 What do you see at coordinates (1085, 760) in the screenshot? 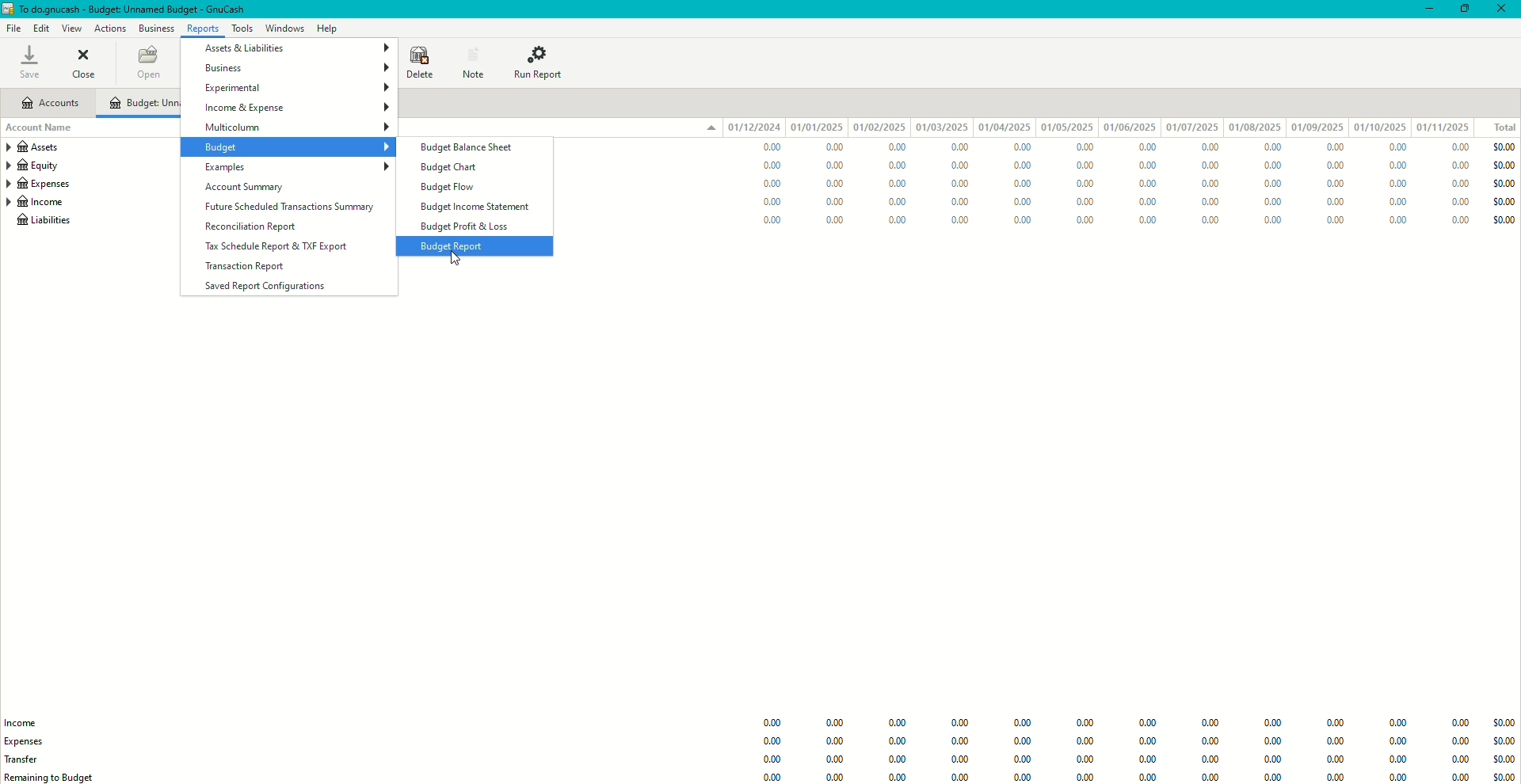
I see `0.00` at bounding box center [1085, 760].